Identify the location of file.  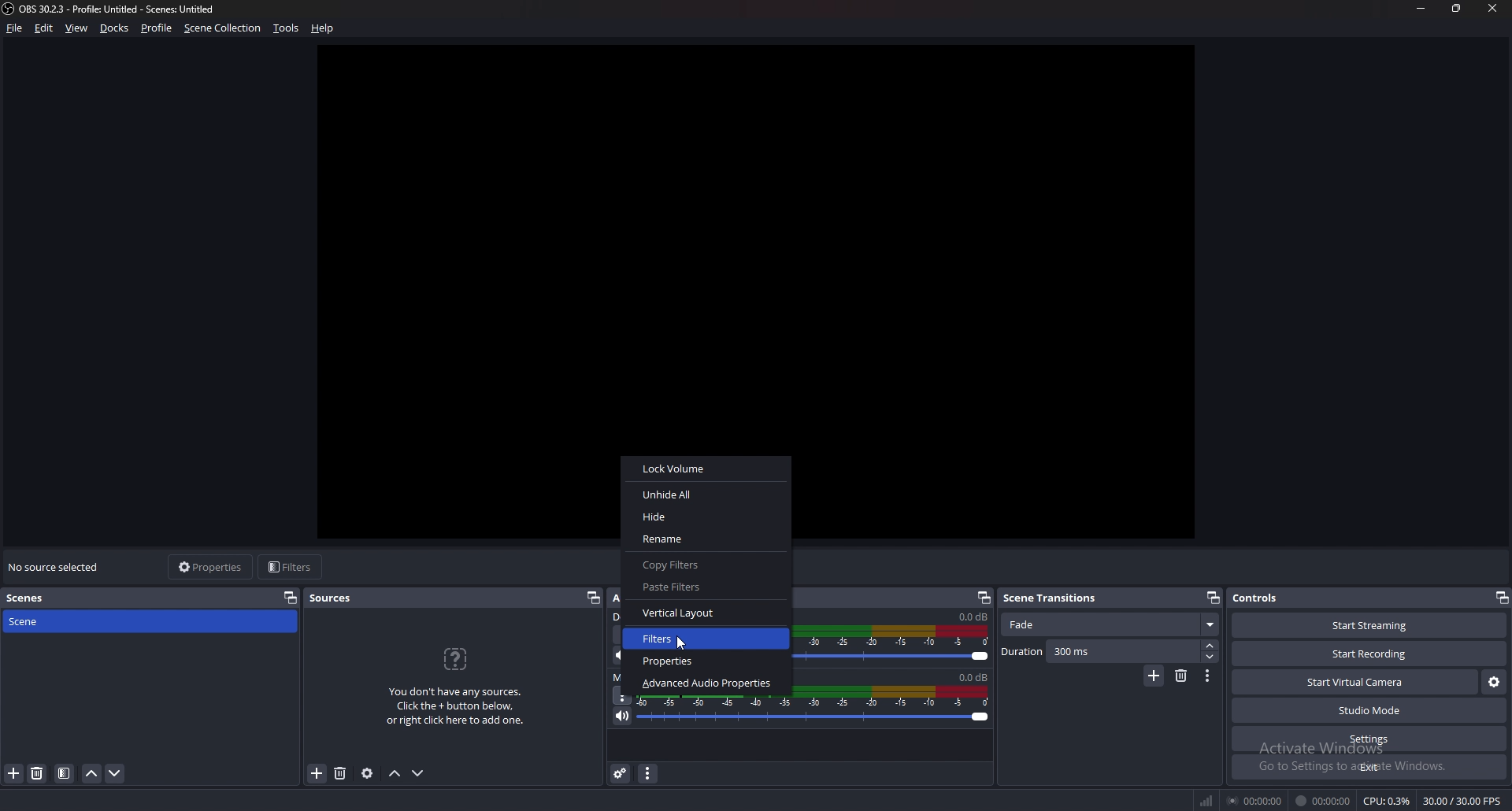
(14, 28).